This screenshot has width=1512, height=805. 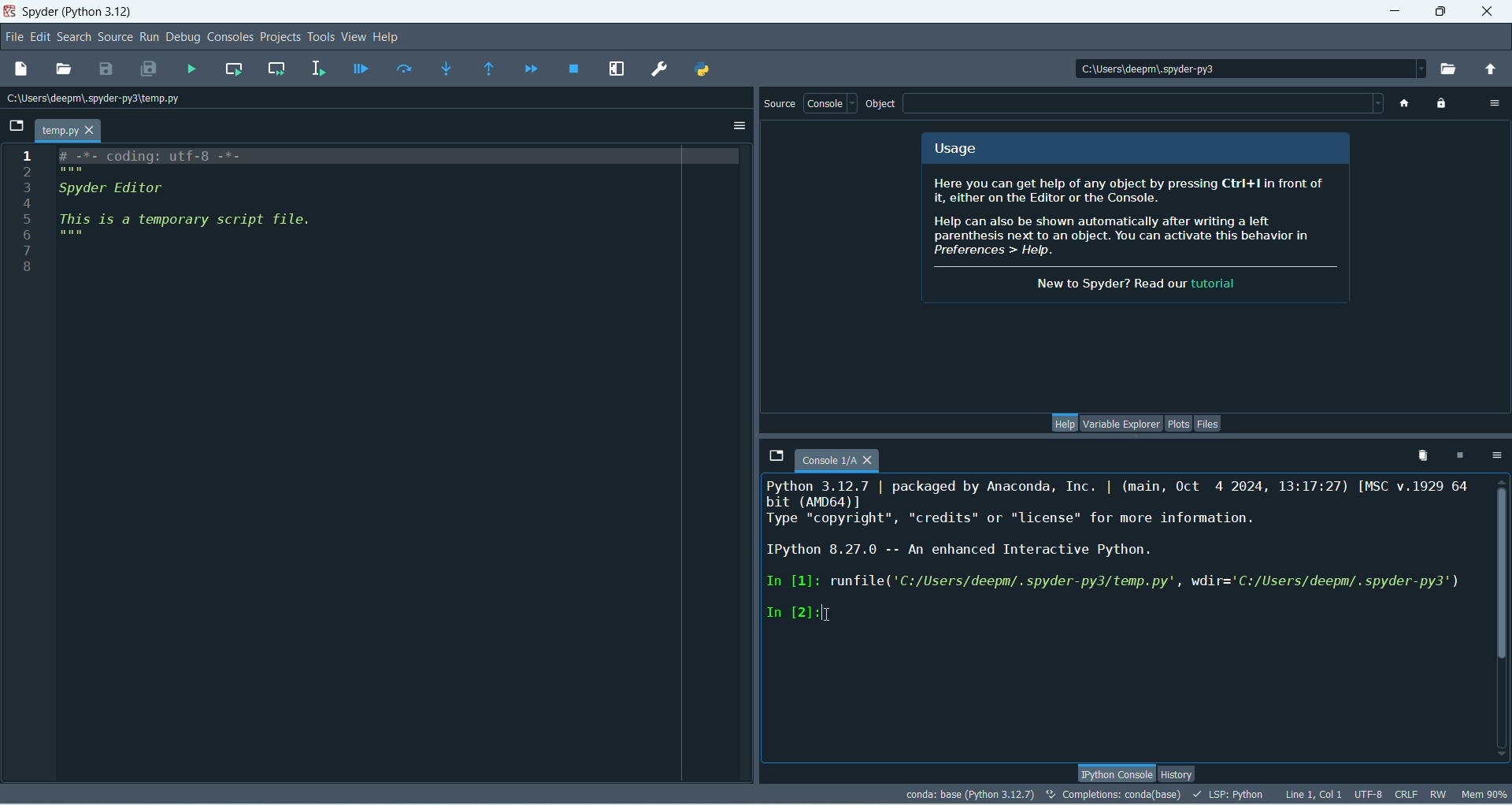 What do you see at coordinates (1443, 105) in the screenshot?
I see `lock` at bounding box center [1443, 105].